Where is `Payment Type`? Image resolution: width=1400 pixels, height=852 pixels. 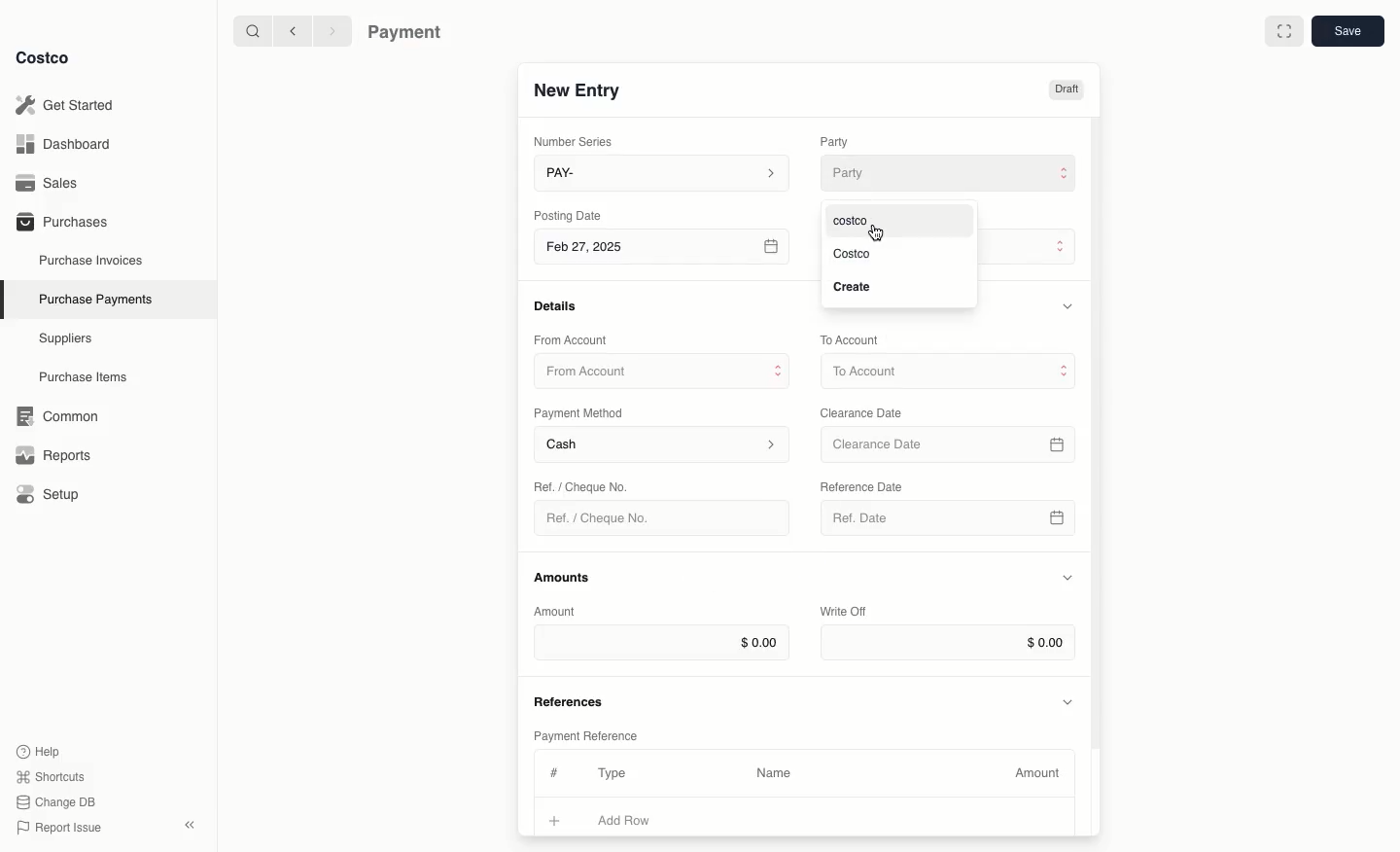 Payment Type is located at coordinates (1031, 247).